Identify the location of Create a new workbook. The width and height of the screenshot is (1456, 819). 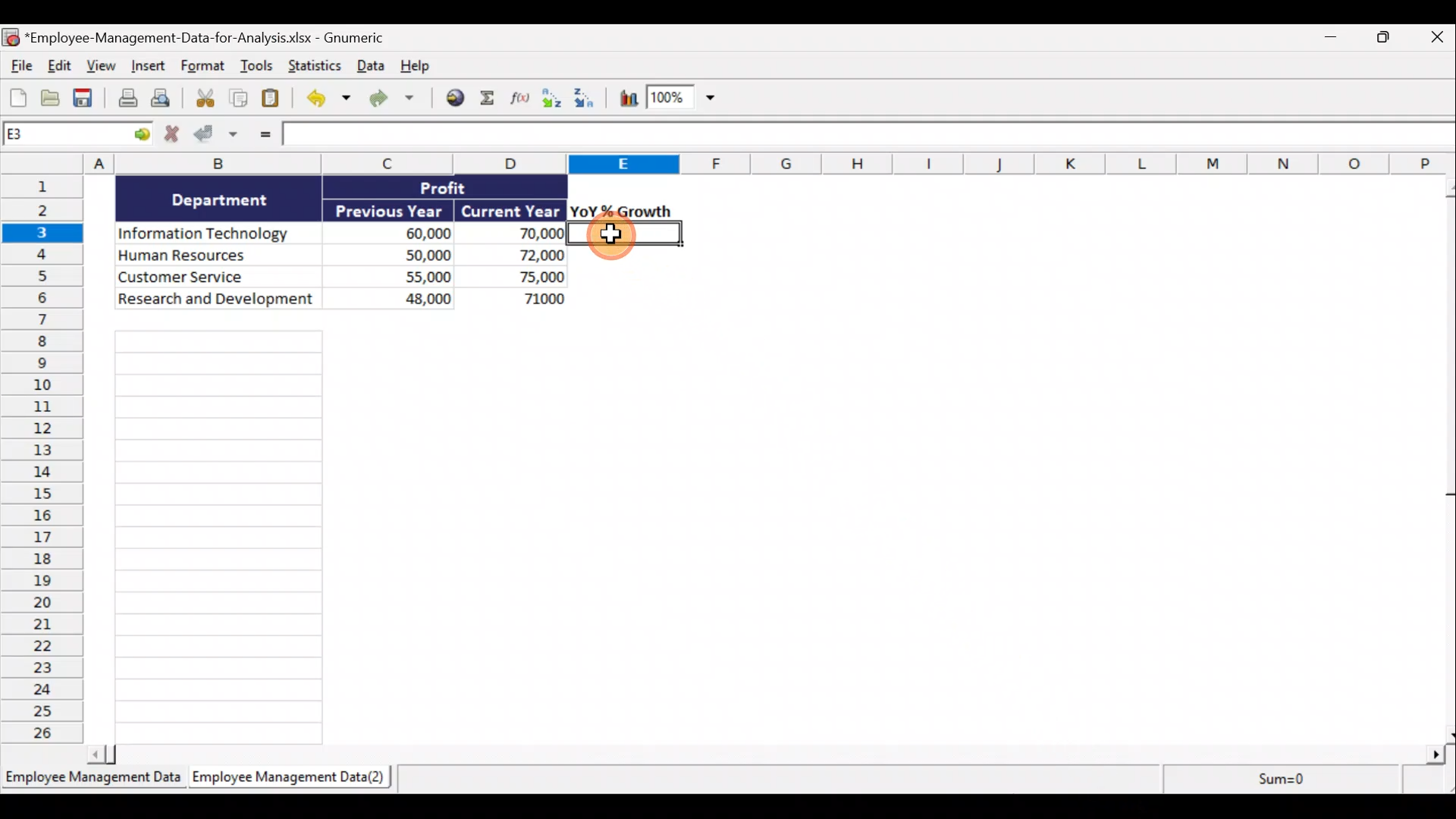
(18, 96).